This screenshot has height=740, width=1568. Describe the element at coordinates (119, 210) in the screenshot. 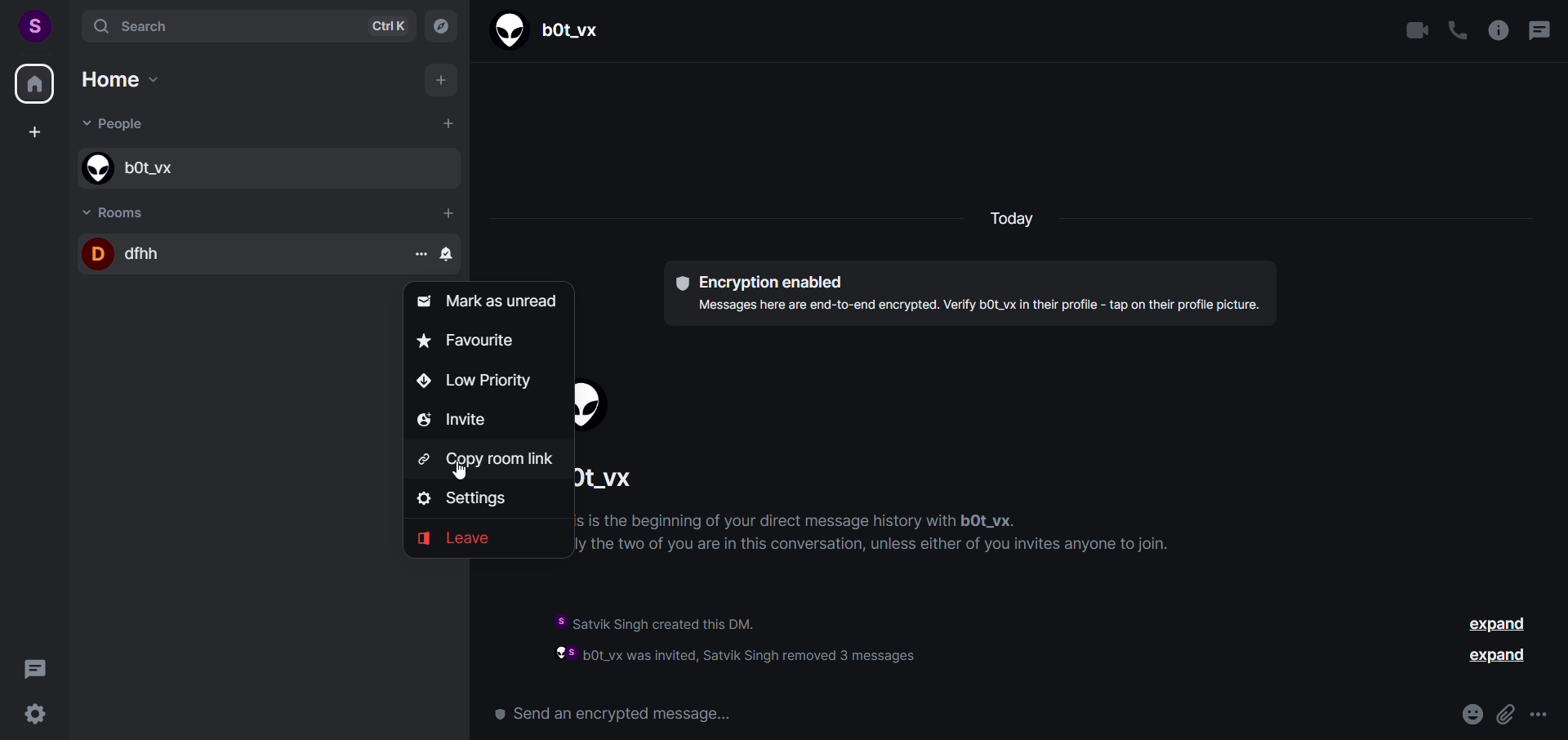

I see `room` at that location.